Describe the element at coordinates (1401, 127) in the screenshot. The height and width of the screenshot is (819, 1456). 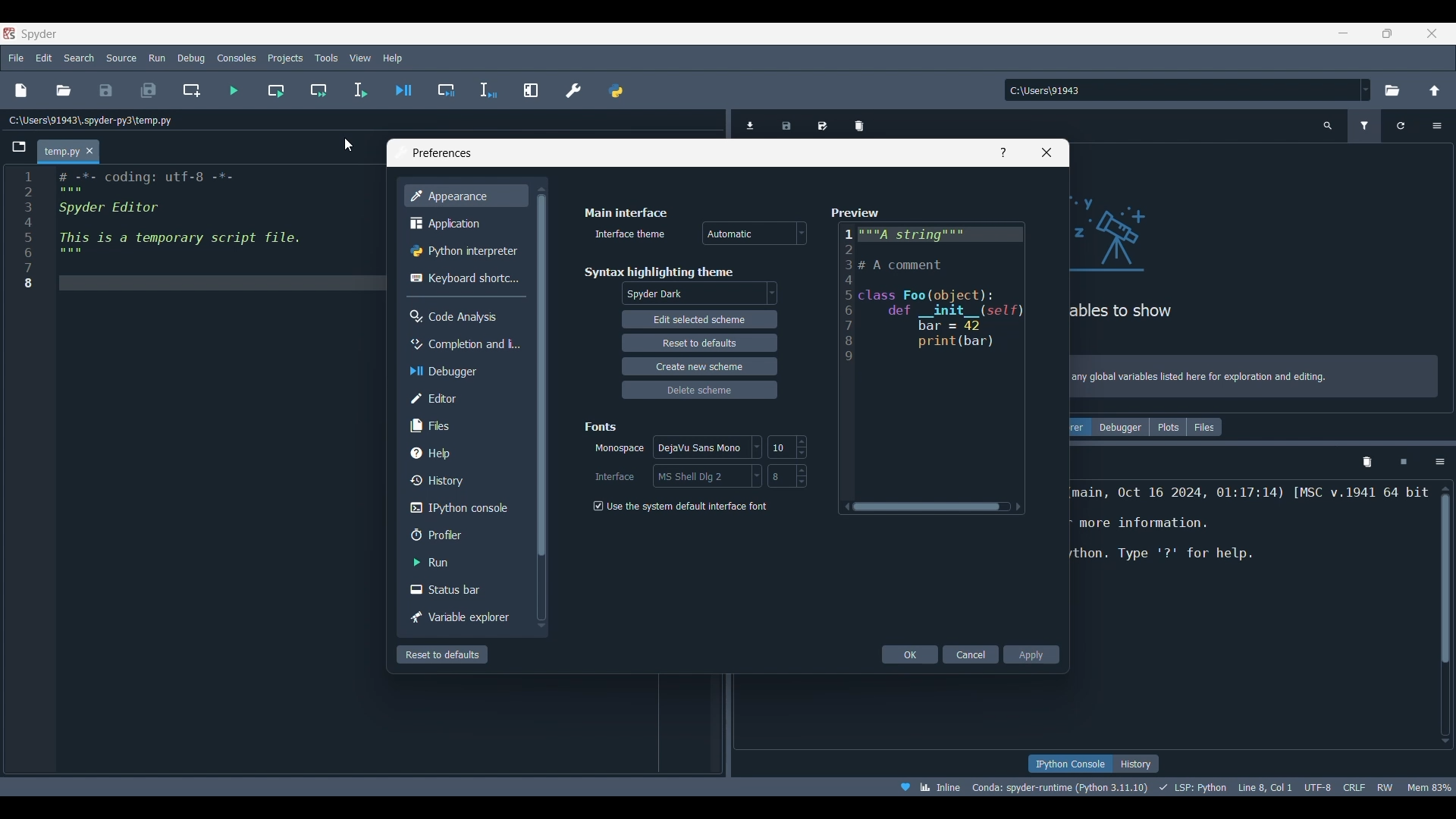
I see `Refresh variables` at that location.